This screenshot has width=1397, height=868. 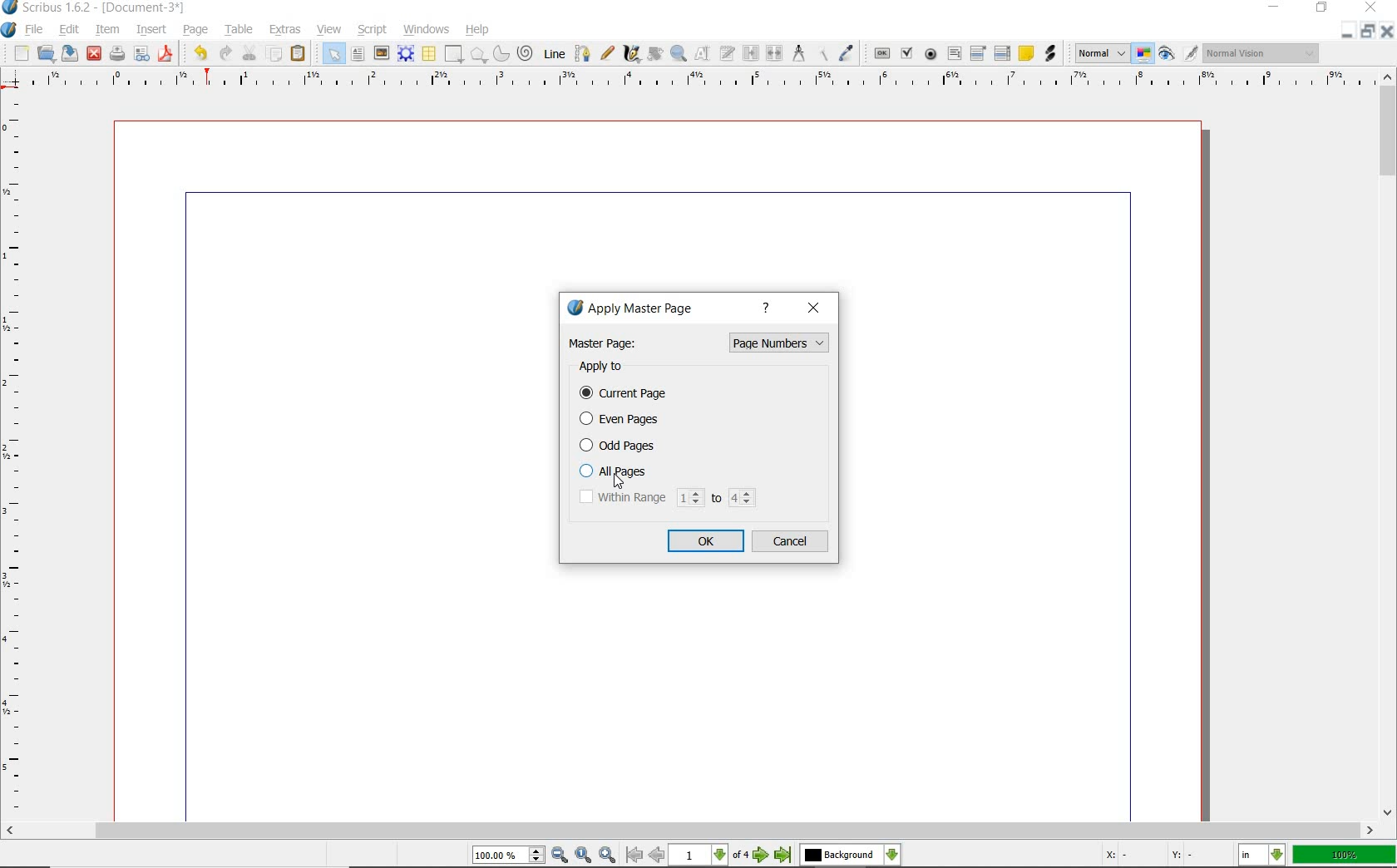 What do you see at coordinates (1050, 53) in the screenshot?
I see `link annotation` at bounding box center [1050, 53].